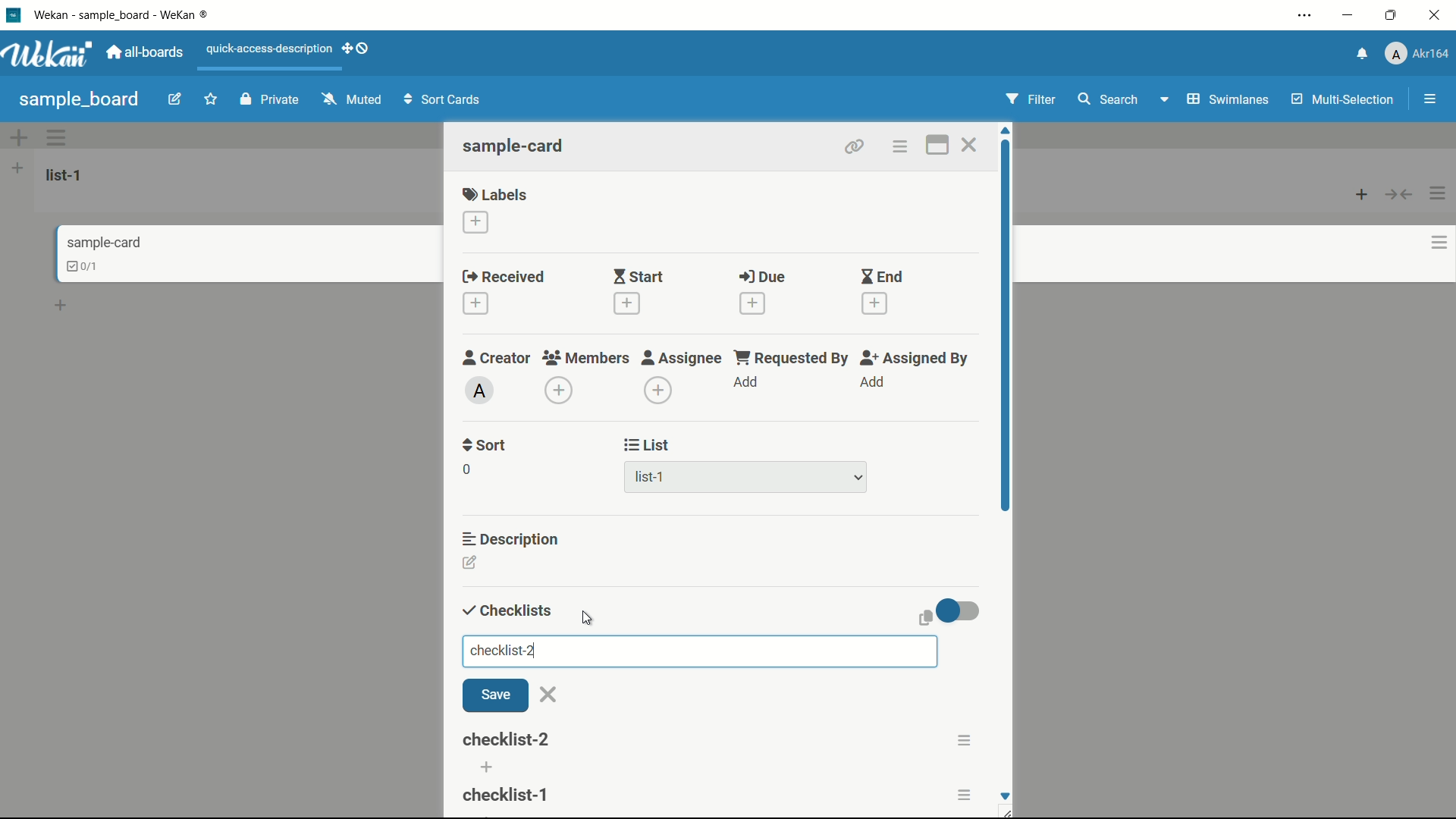 This screenshot has height=819, width=1456. I want to click on quick-access-description, so click(270, 49).